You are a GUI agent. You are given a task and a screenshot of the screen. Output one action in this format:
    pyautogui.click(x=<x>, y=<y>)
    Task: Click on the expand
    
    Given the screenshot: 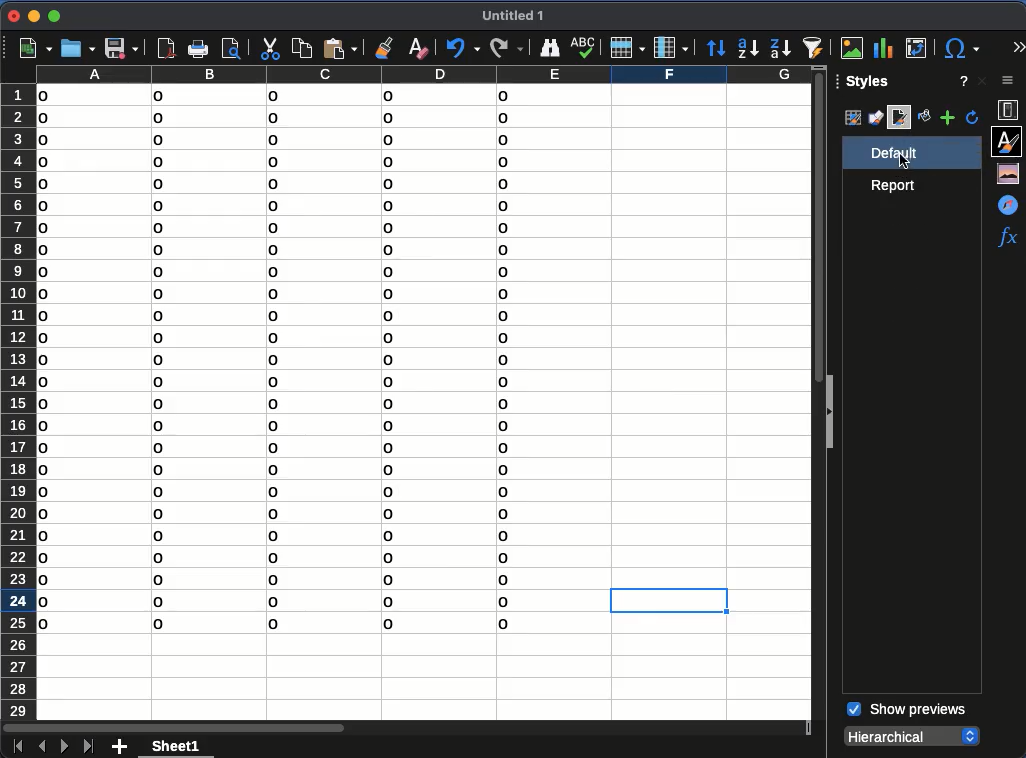 What is the action you would take?
    pyautogui.click(x=1016, y=45)
    